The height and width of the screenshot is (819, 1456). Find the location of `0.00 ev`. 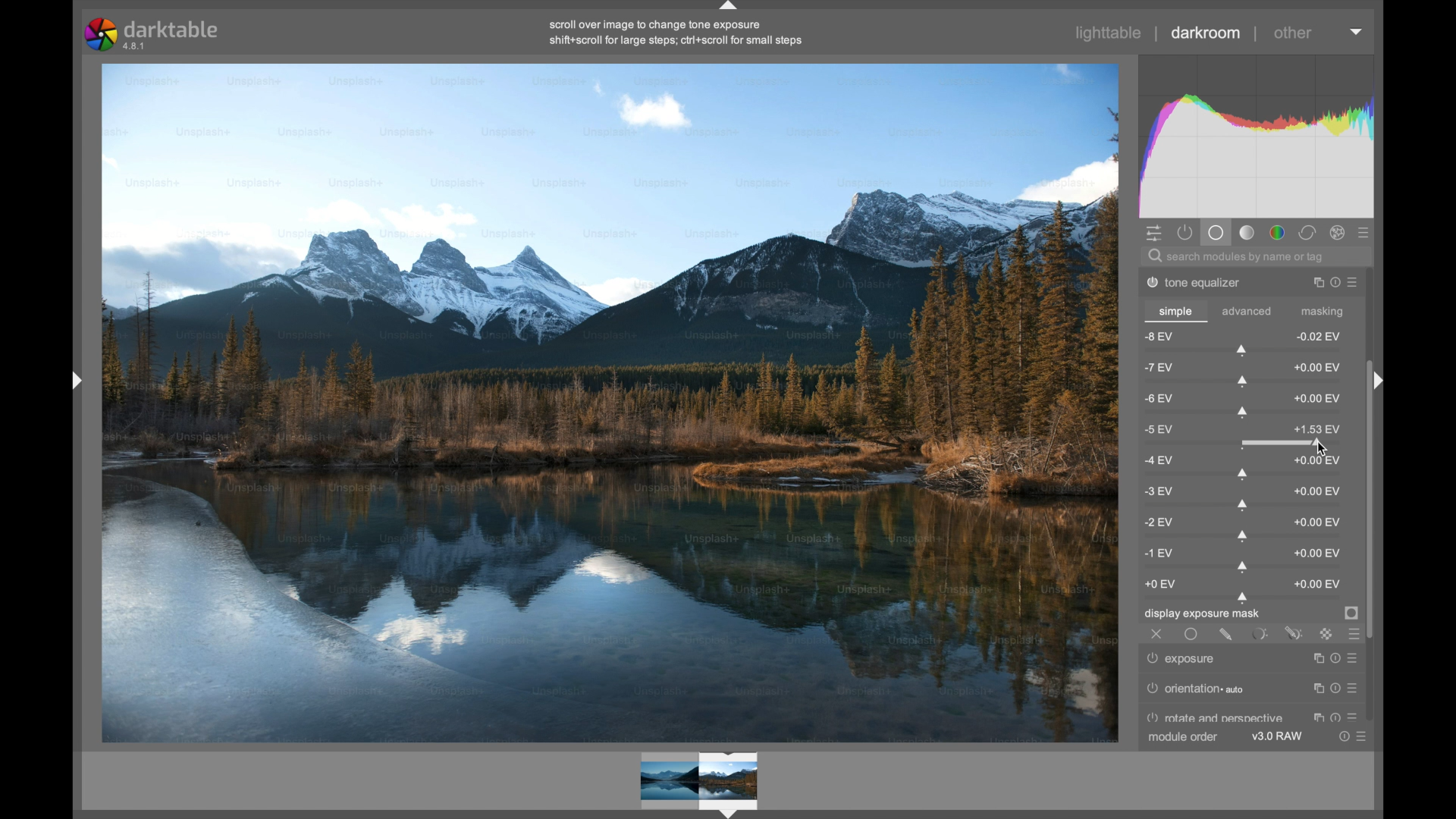

0.00 ev is located at coordinates (1318, 367).